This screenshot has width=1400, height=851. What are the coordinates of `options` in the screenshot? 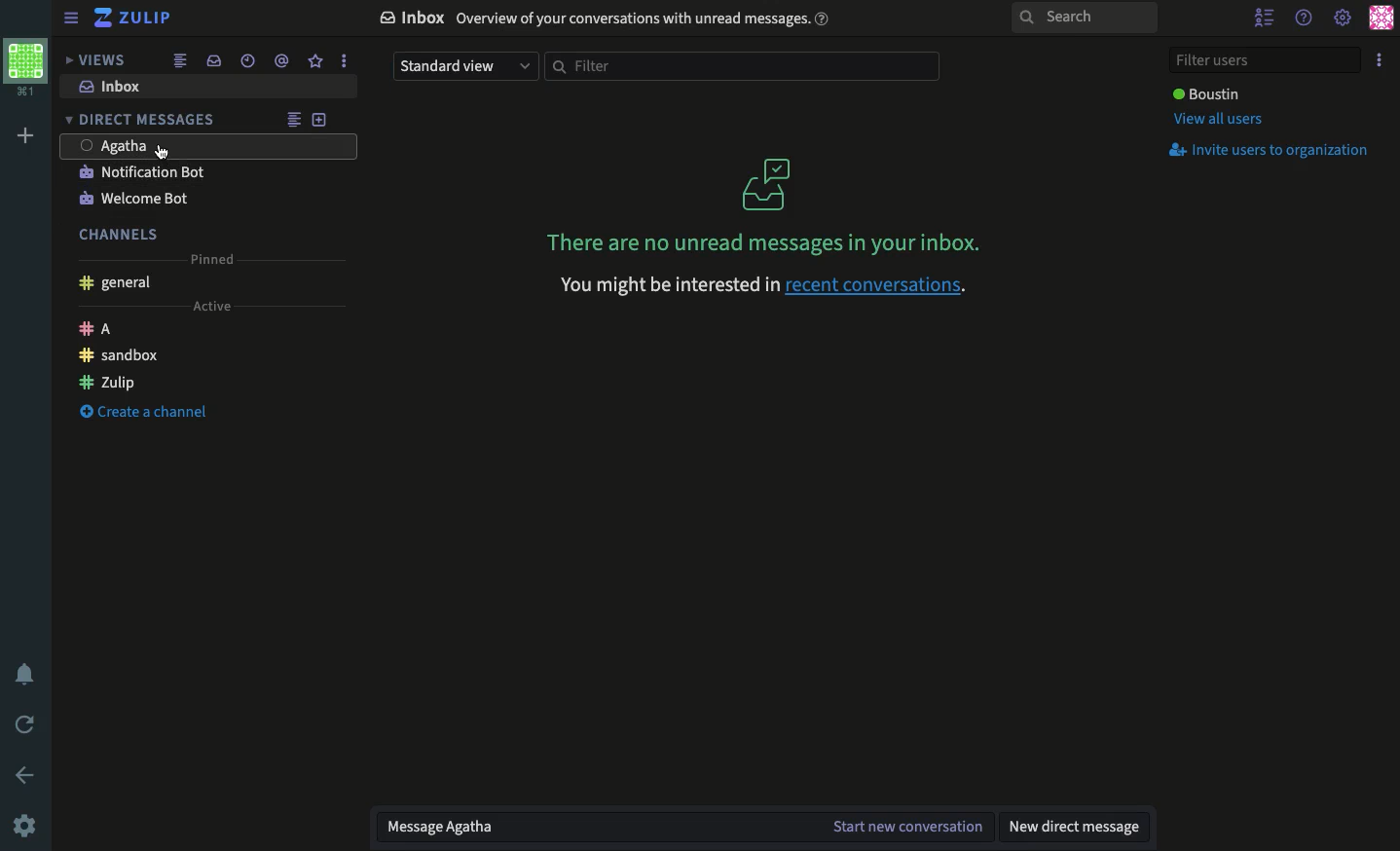 It's located at (343, 59).